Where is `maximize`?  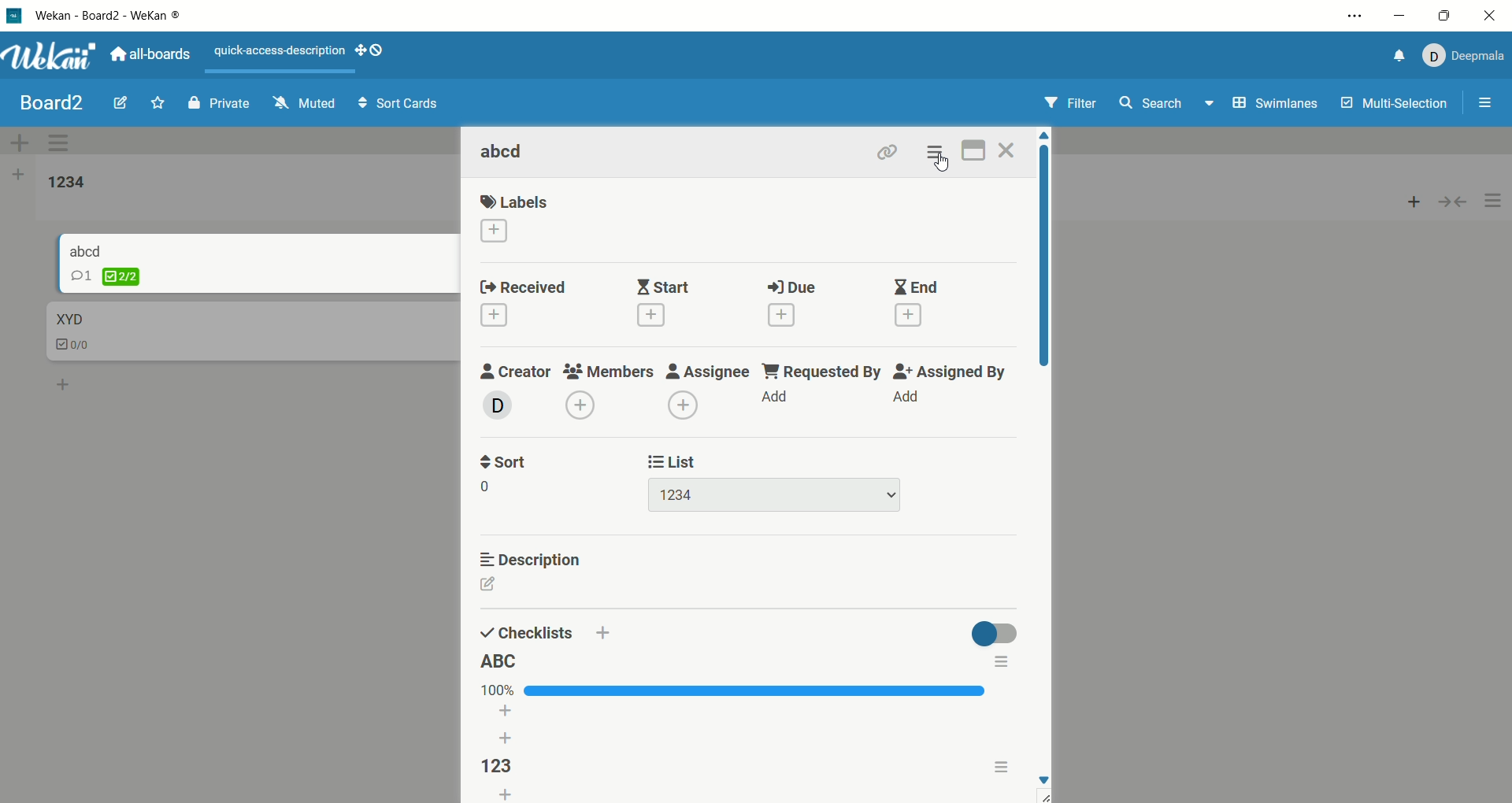
maximize is located at coordinates (1443, 14).